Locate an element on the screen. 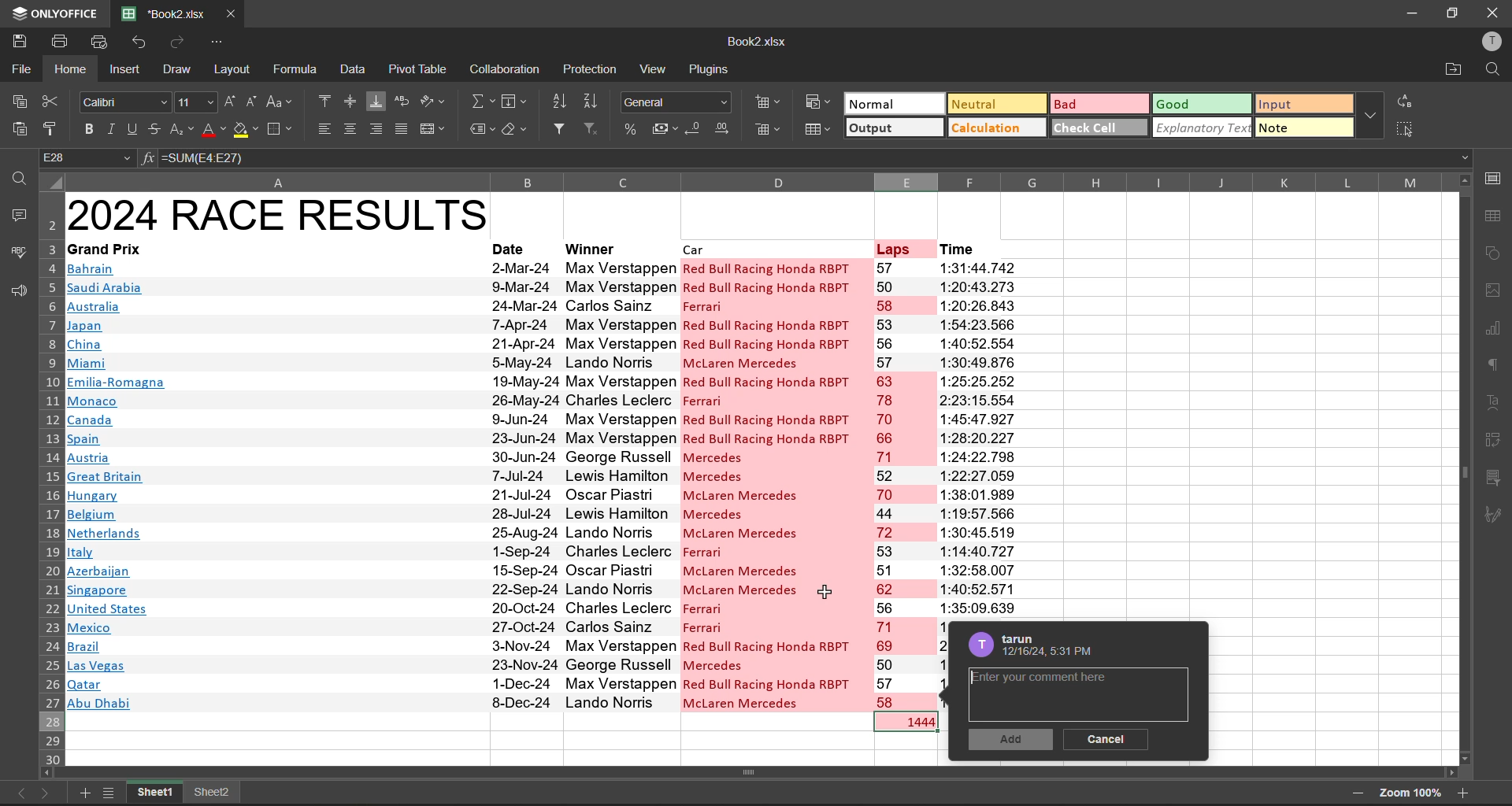 The width and height of the screenshot is (1512, 806). time is located at coordinates (961, 248).